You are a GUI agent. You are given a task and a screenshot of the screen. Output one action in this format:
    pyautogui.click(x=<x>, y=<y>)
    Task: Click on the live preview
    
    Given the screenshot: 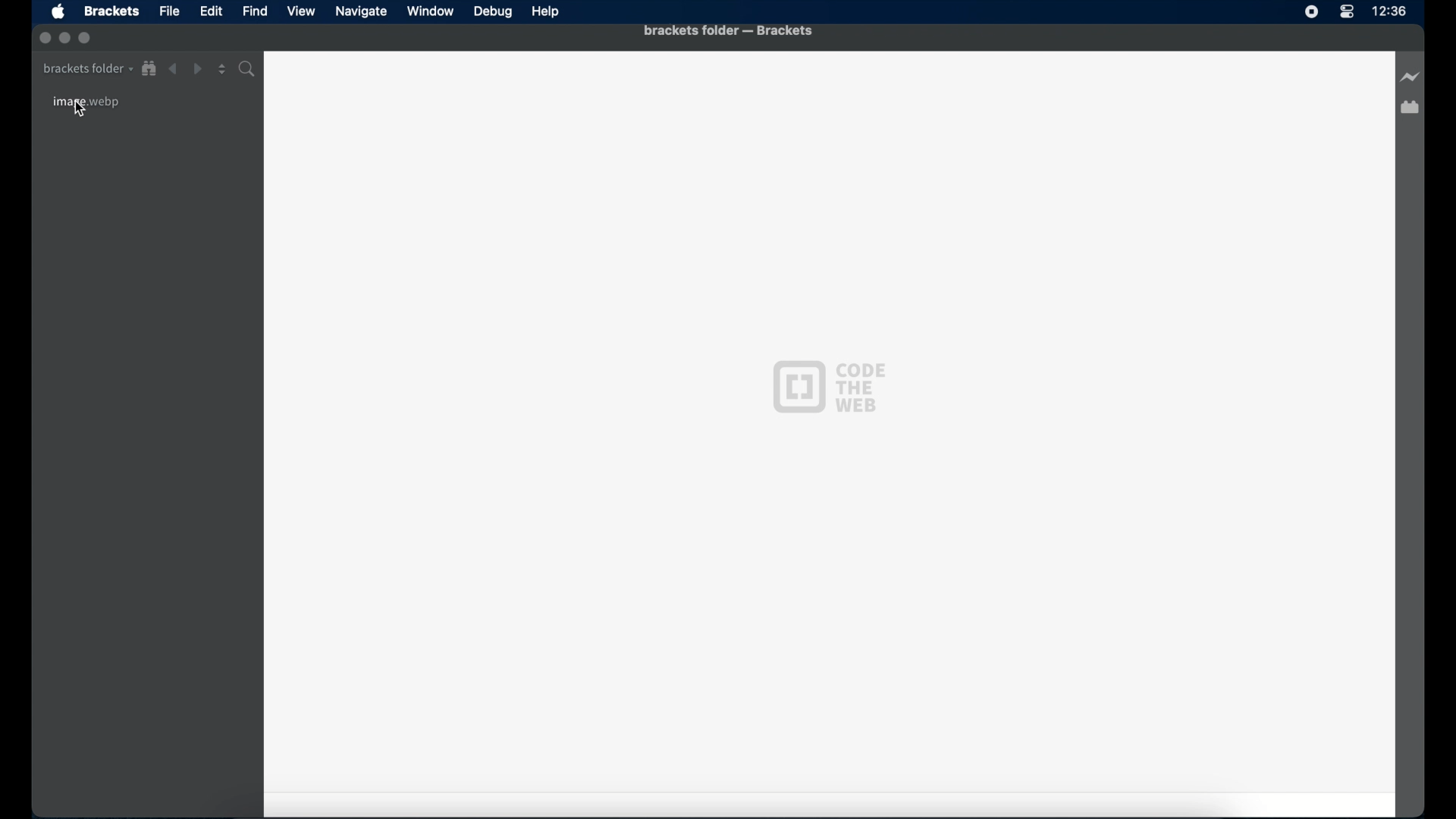 What is the action you would take?
    pyautogui.click(x=1410, y=77)
    